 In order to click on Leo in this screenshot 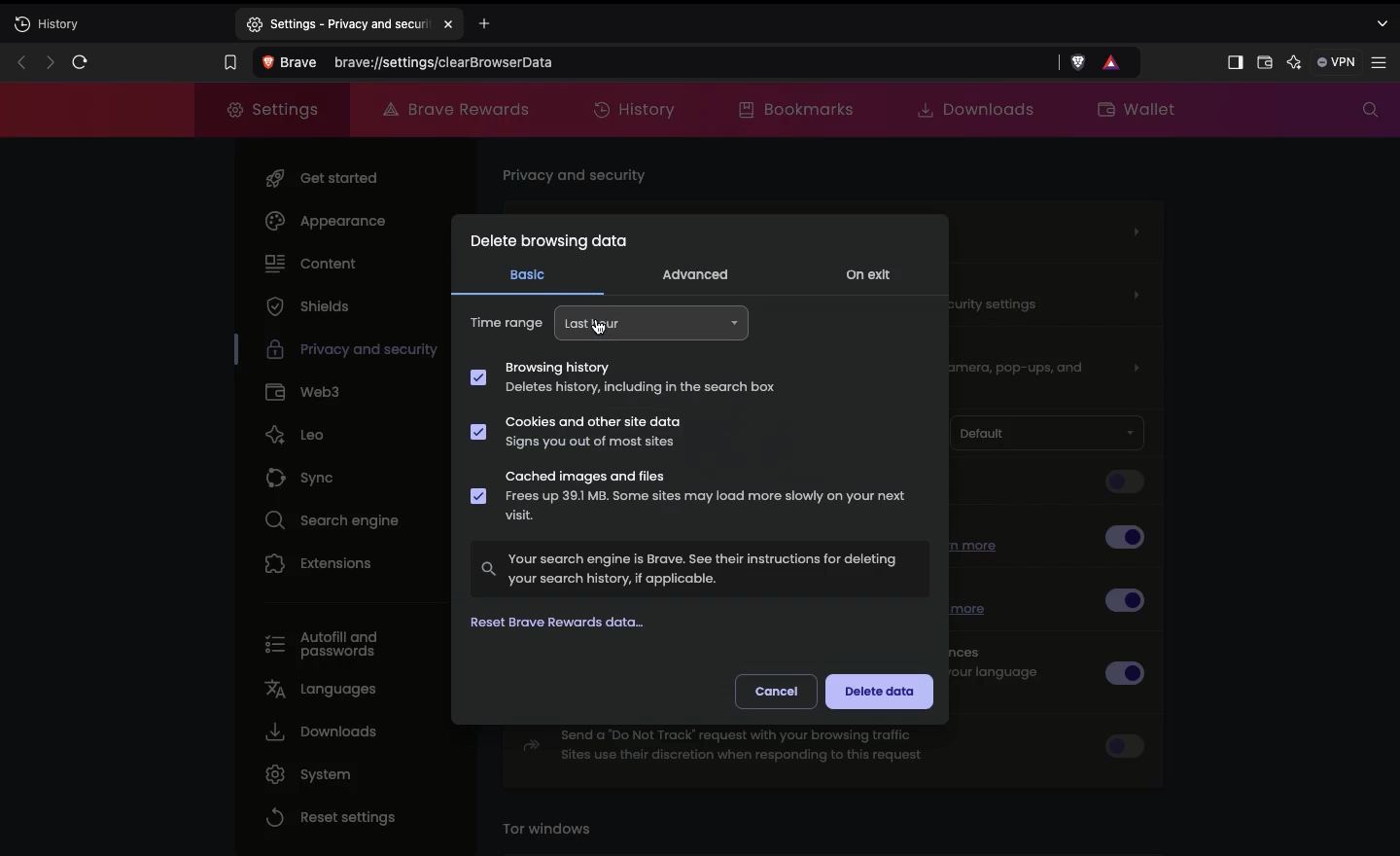, I will do `click(304, 434)`.